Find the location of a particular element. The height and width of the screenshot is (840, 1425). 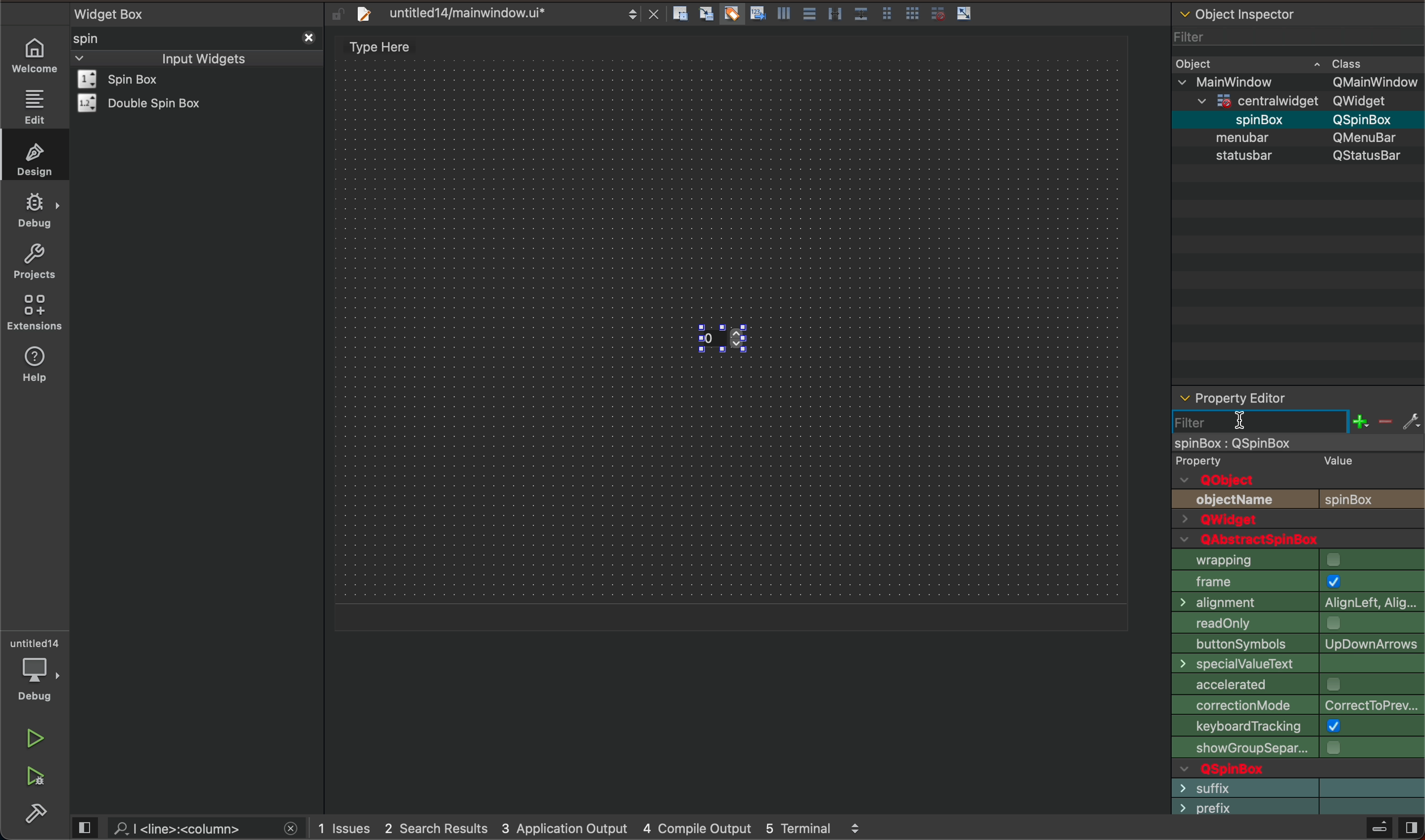

toolbutton style is located at coordinates (1297, 577).